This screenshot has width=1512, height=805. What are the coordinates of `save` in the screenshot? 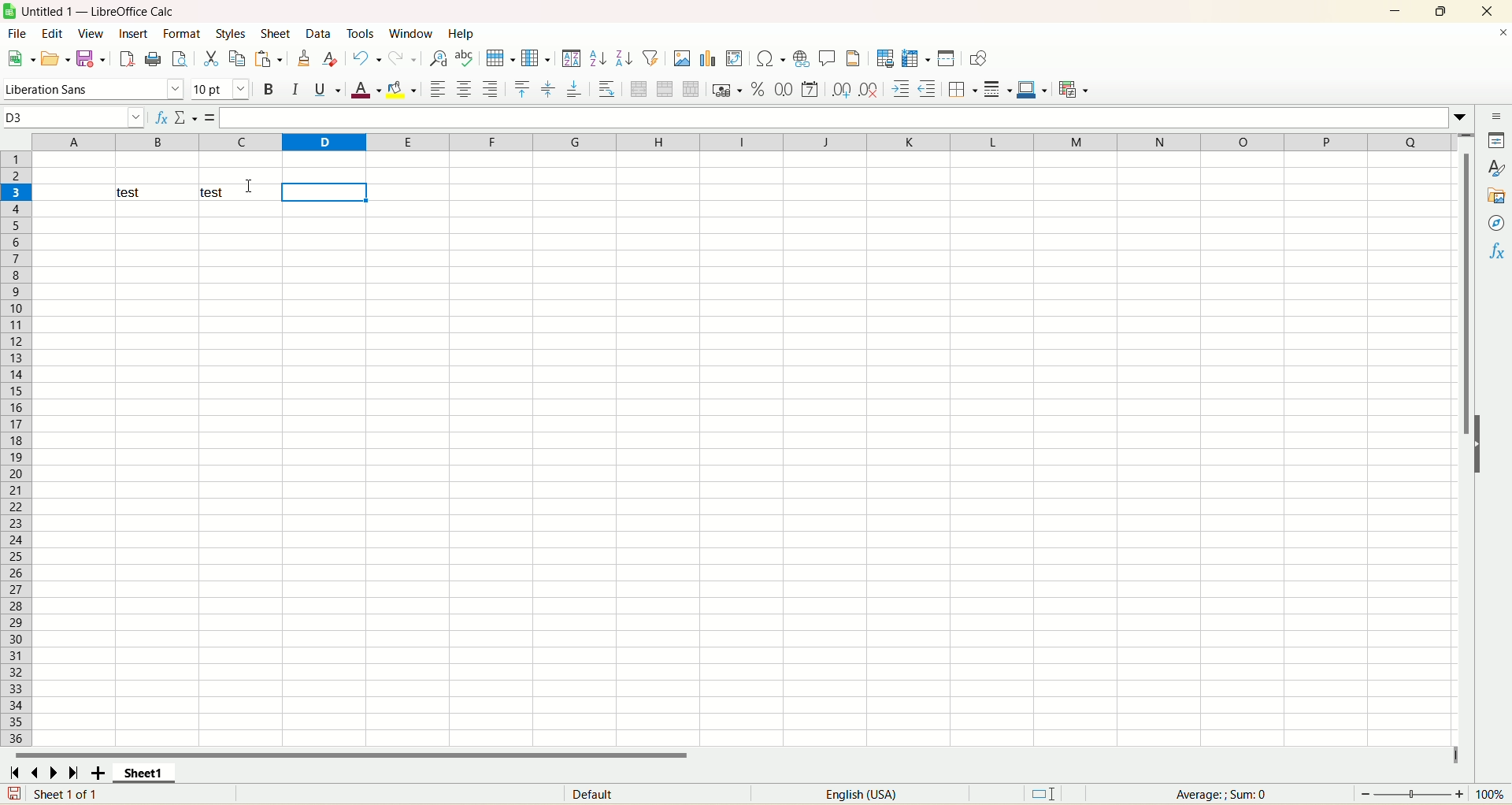 It's located at (14, 793).